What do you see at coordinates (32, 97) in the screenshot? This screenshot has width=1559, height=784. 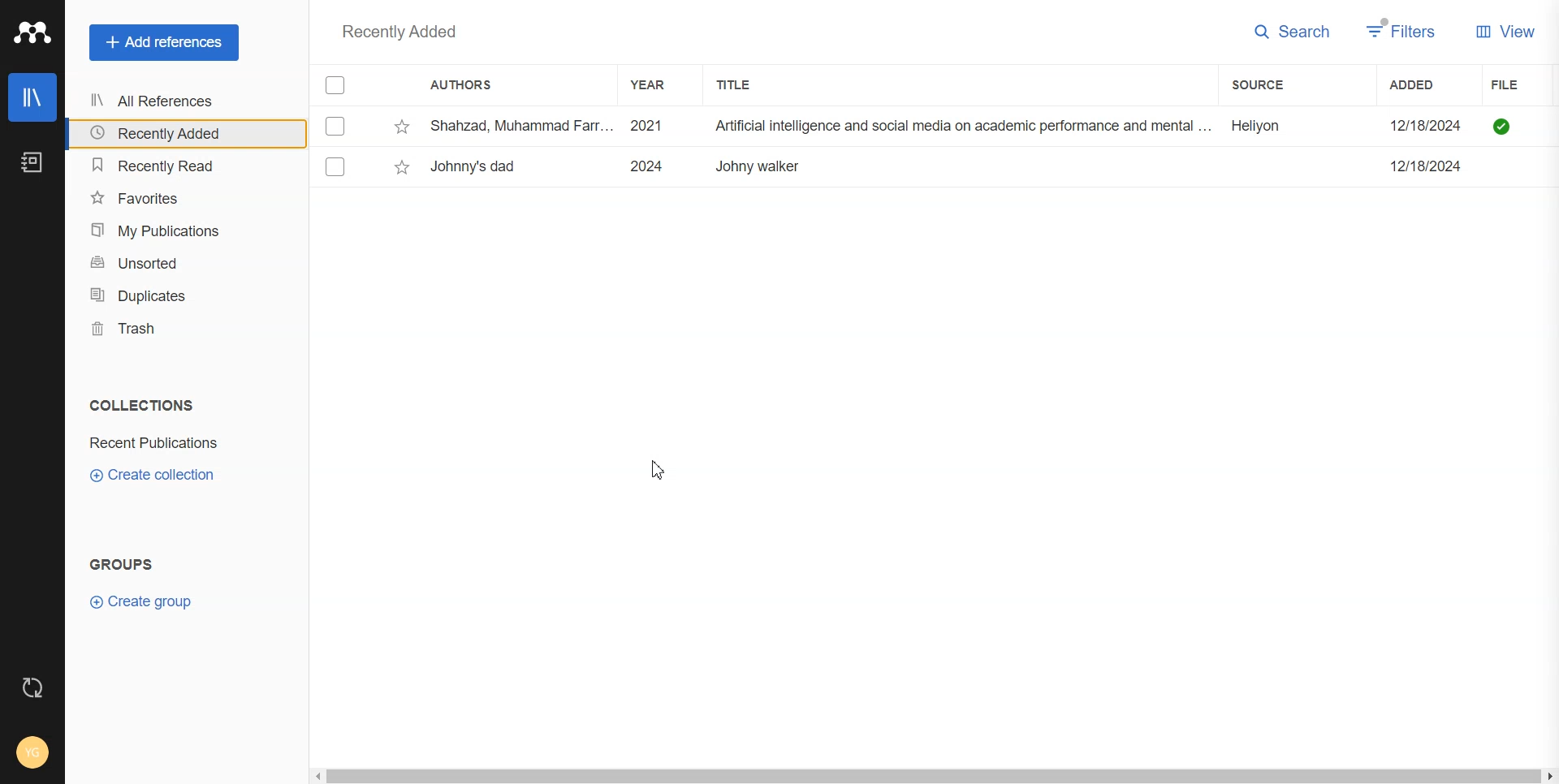 I see `Library` at bounding box center [32, 97].